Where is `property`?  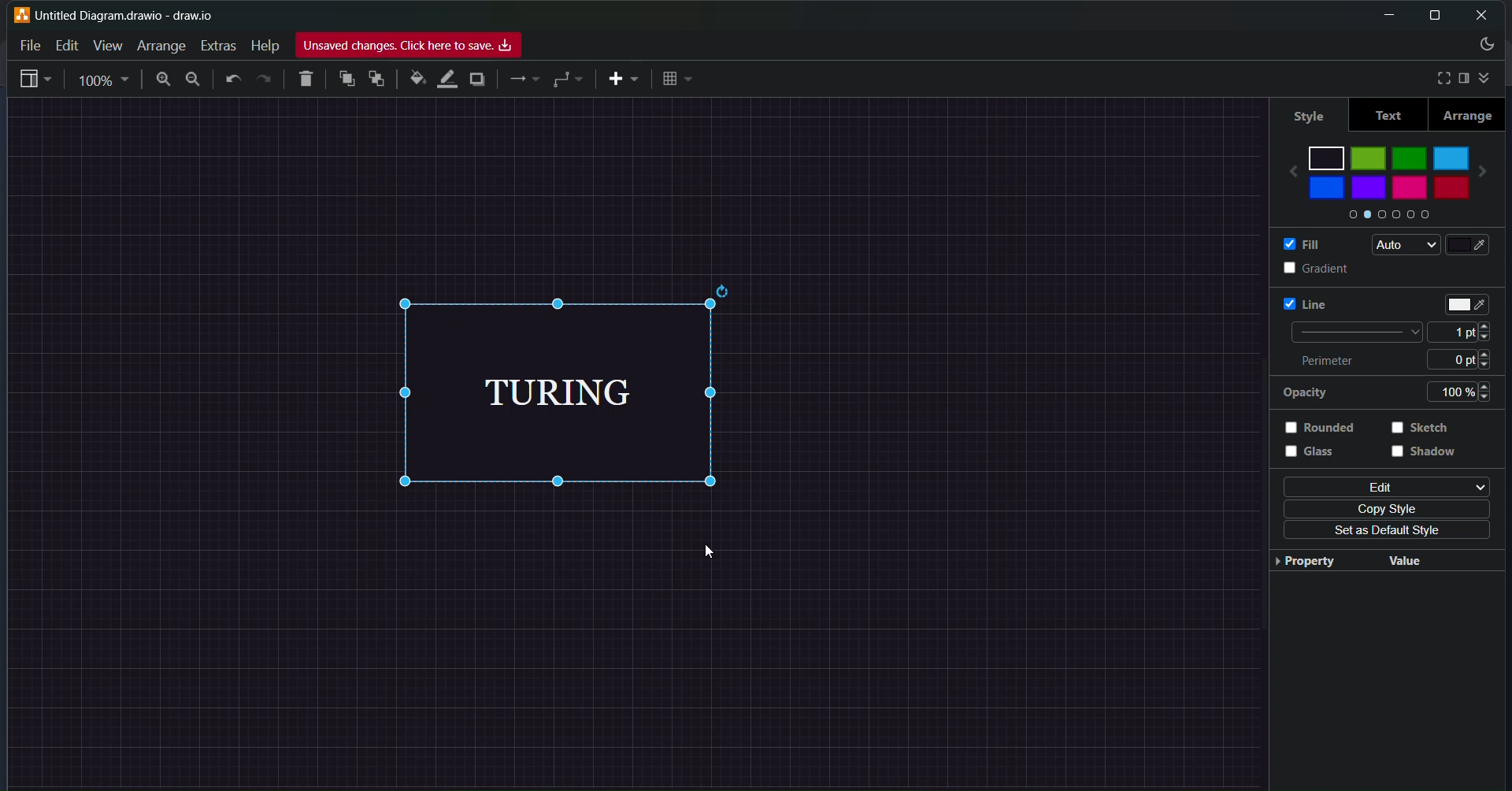
property is located at coordinates (1302, 563).